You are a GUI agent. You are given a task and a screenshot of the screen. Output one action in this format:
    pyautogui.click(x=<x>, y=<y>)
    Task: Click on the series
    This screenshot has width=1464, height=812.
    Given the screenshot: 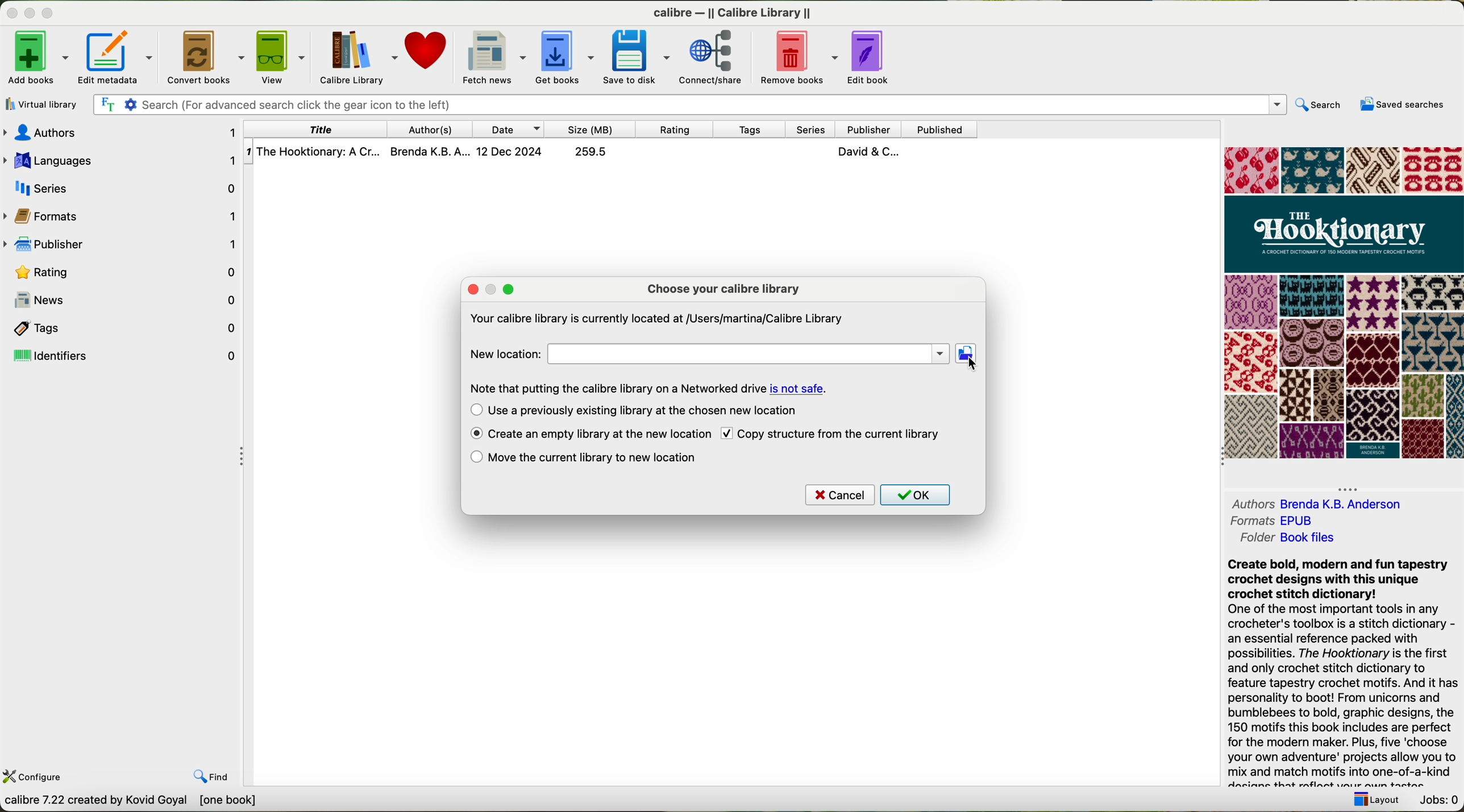 What is the action you would take?
    pyautogui.click(x=122, y=186)
    